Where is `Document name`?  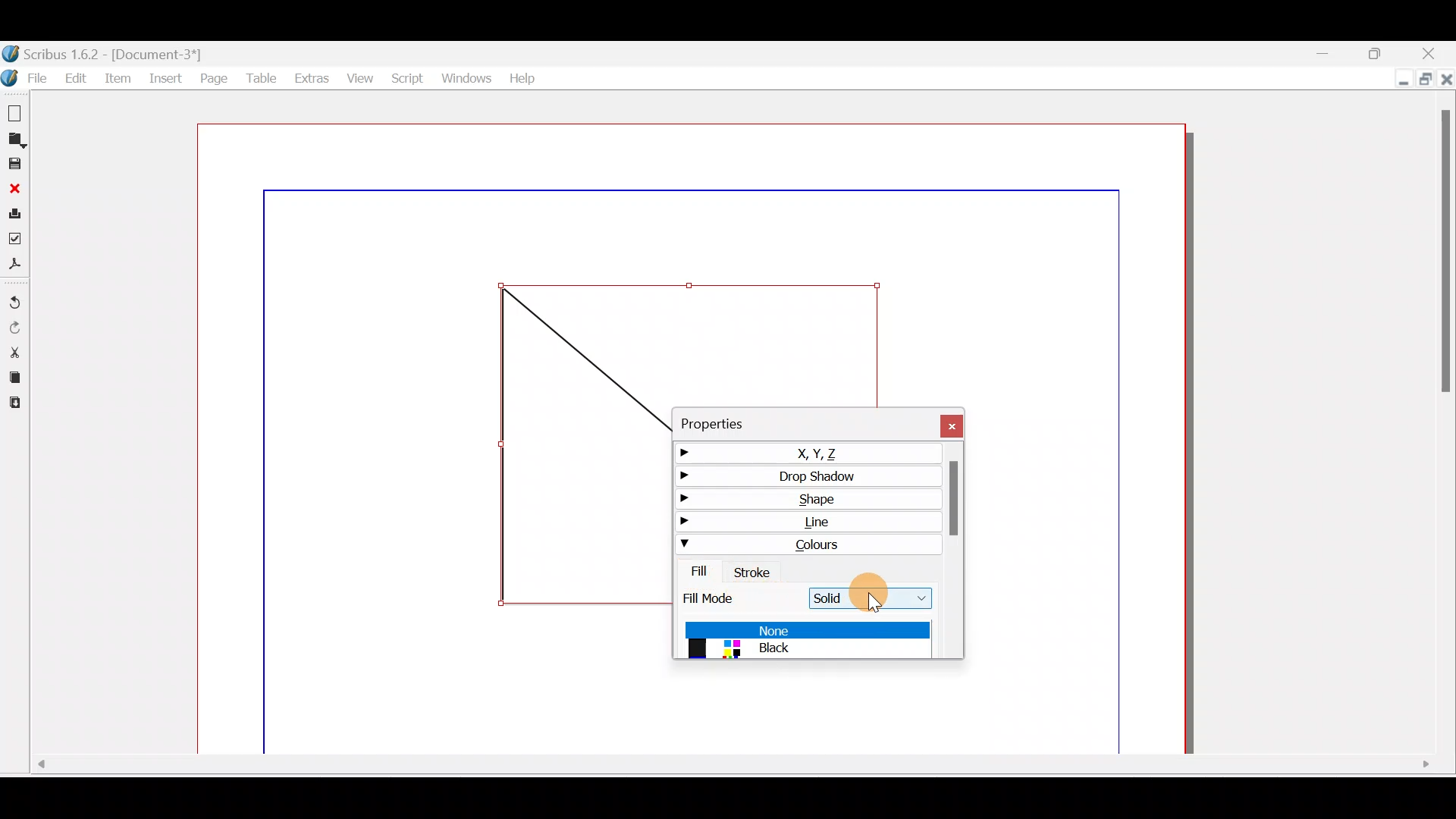
Document name is located at coordinates (120, 52).